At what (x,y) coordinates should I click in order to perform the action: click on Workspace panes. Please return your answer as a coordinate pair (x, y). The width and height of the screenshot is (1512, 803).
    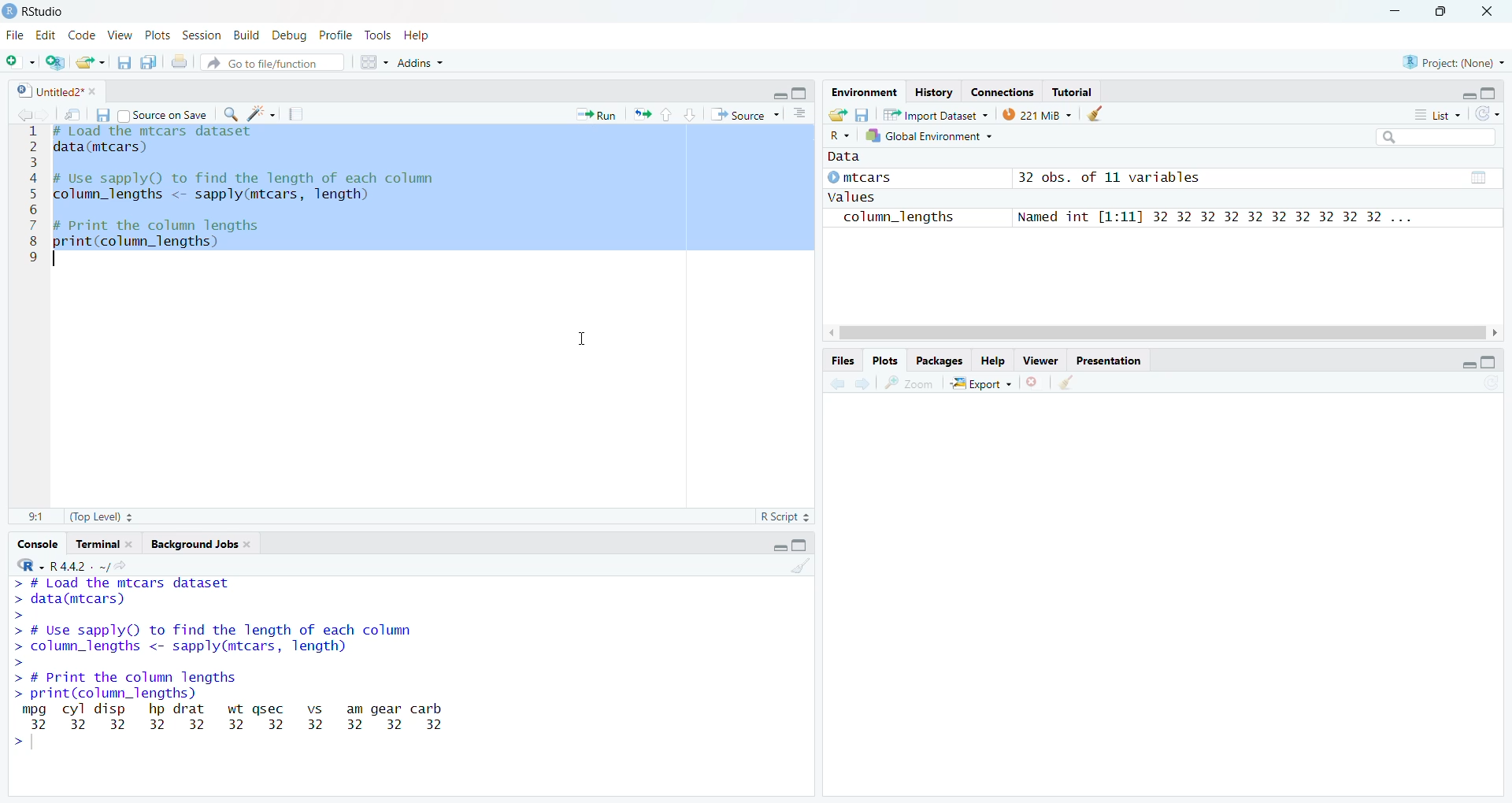
    Looking at the image, I should click on (371, 61).